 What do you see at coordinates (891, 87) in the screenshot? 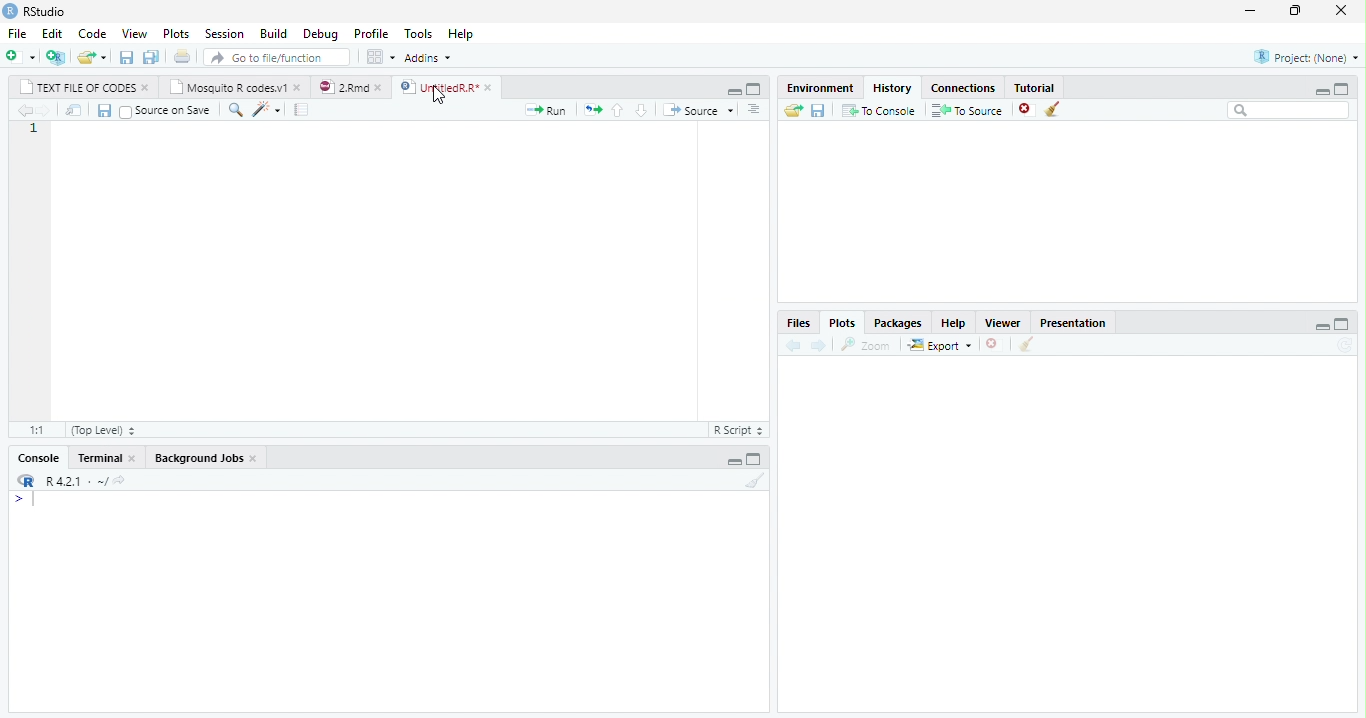
I see `history` at bounding box center [891, 87].